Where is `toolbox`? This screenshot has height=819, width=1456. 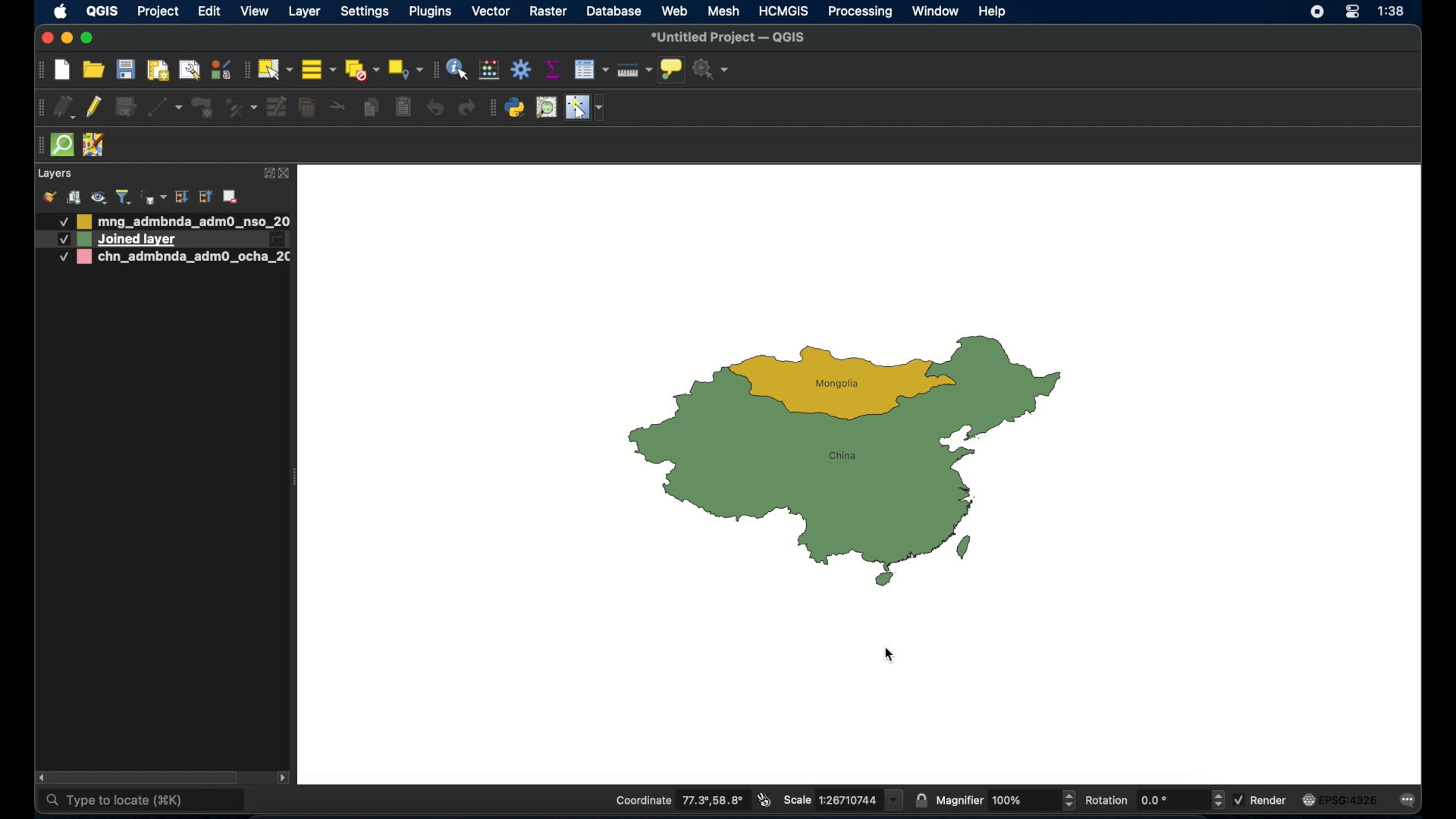 toolbox is located at coordinates (521, 68).